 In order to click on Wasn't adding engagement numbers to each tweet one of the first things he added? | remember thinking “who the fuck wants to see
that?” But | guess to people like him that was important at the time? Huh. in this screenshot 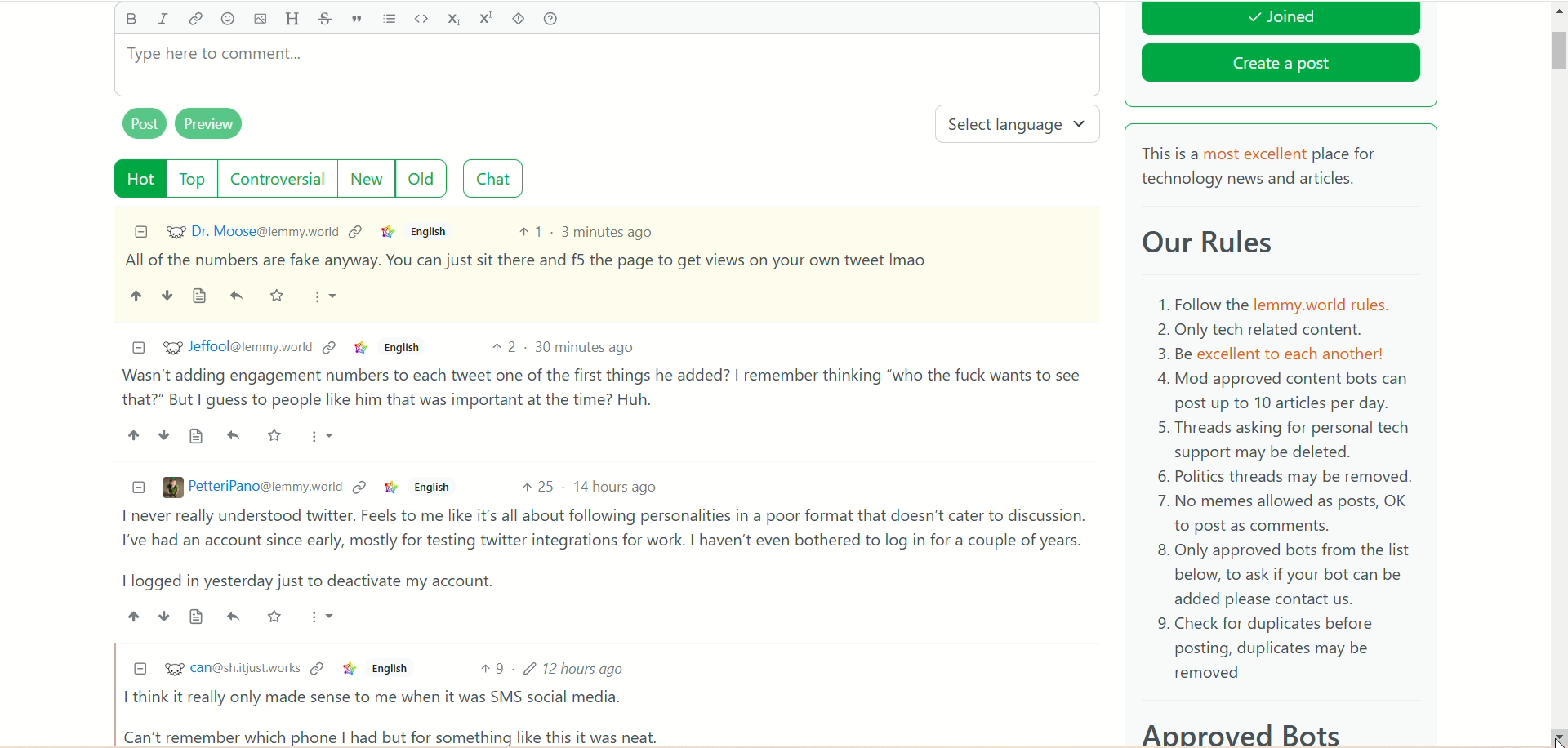, I will do `click(602, 388)`.